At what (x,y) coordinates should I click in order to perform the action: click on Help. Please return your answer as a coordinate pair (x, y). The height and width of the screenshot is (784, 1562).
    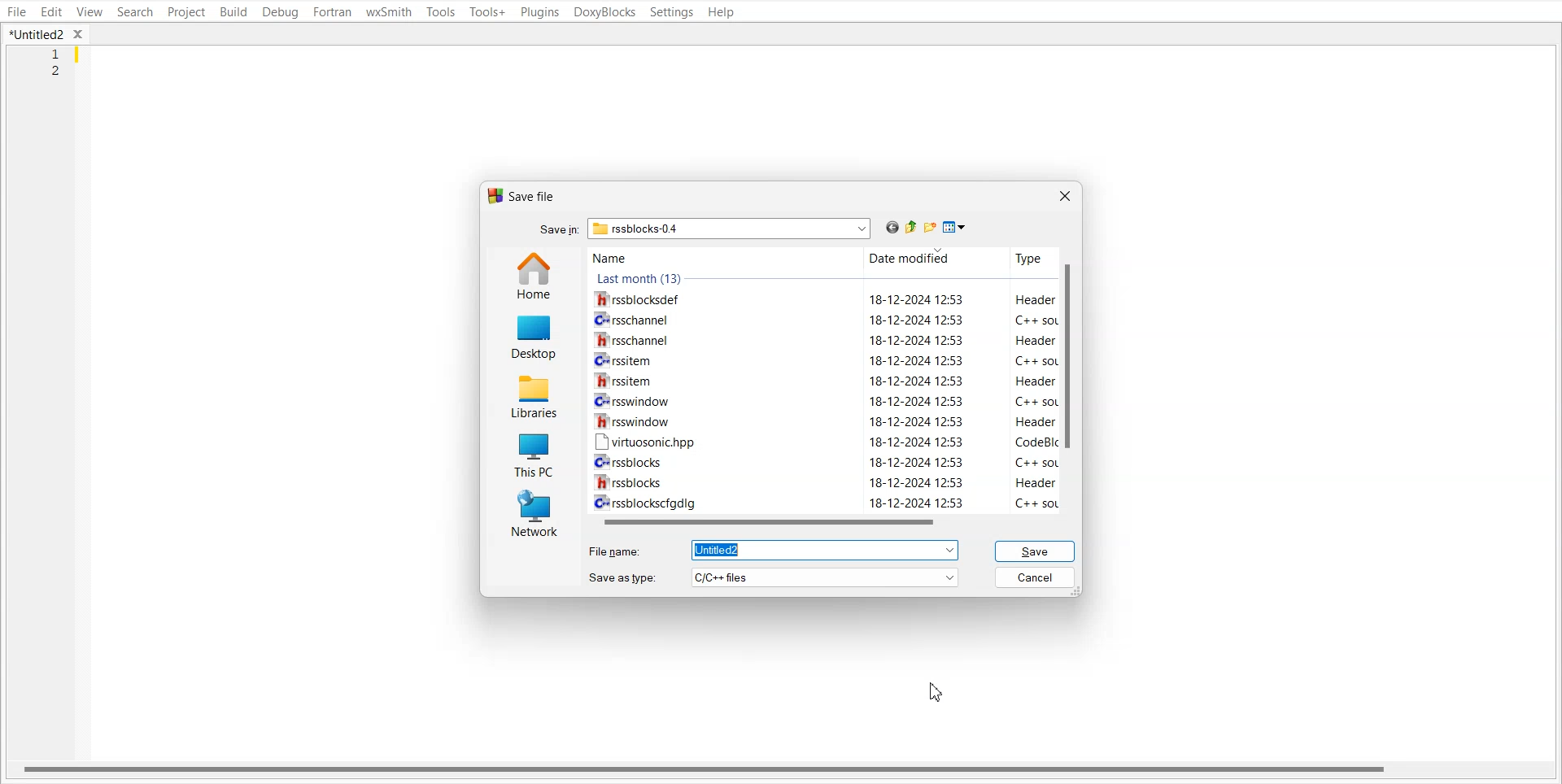
    Looking at the image, I should click on (723, 12).